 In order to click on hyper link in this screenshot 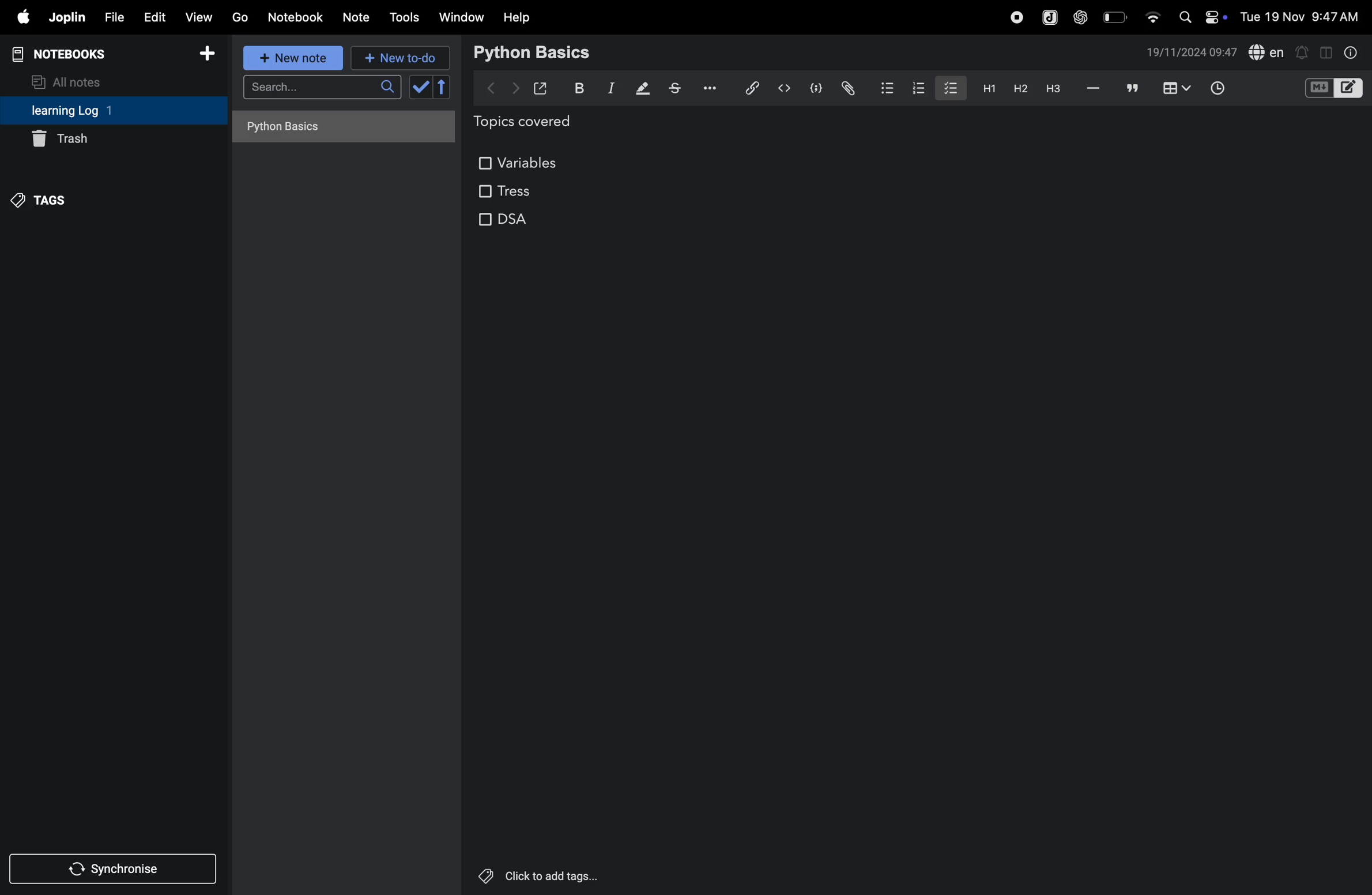, I will do `click(751, 88)`.